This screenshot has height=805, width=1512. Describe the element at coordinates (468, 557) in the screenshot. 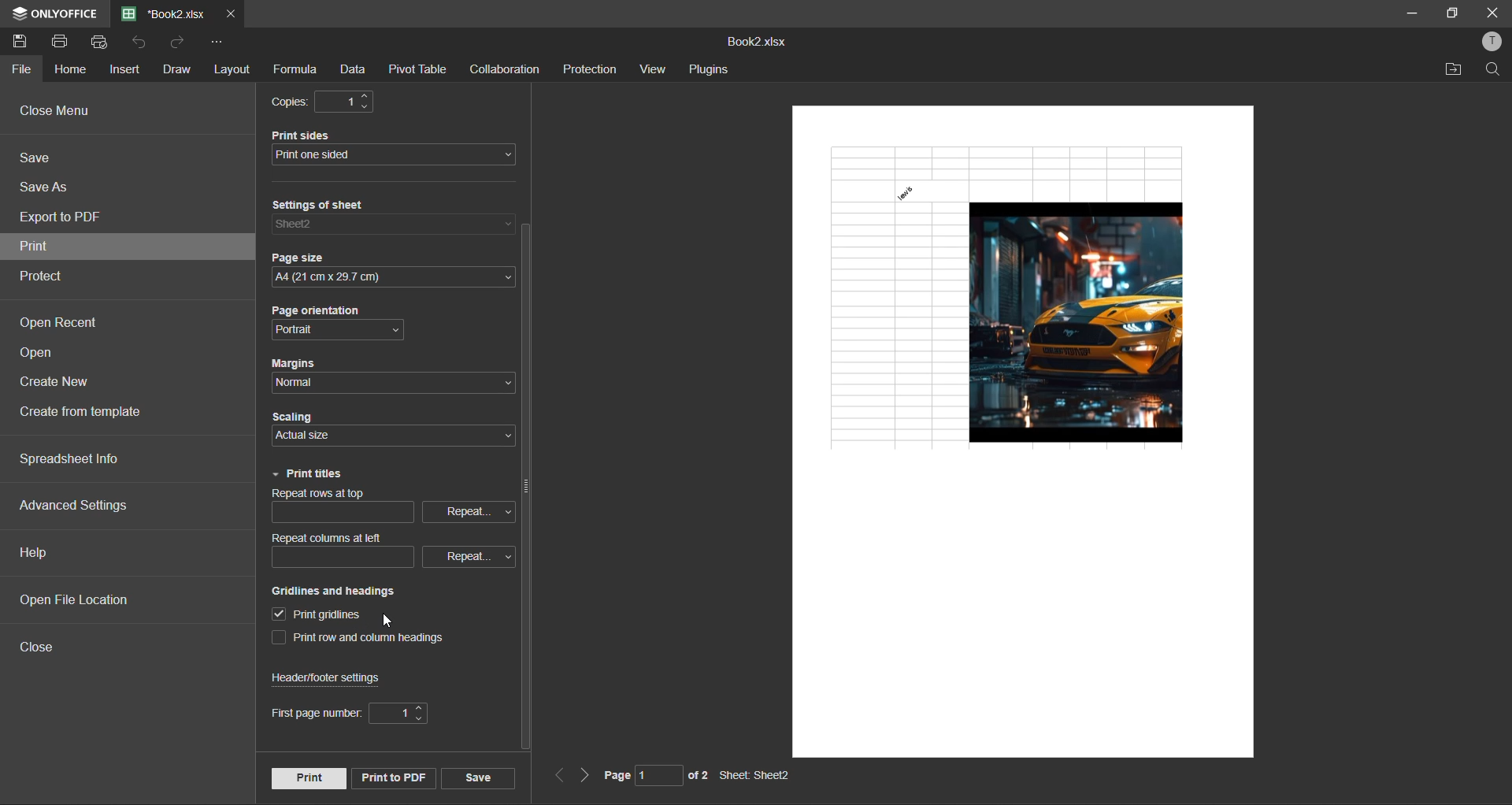

I see `repeat` at that location.